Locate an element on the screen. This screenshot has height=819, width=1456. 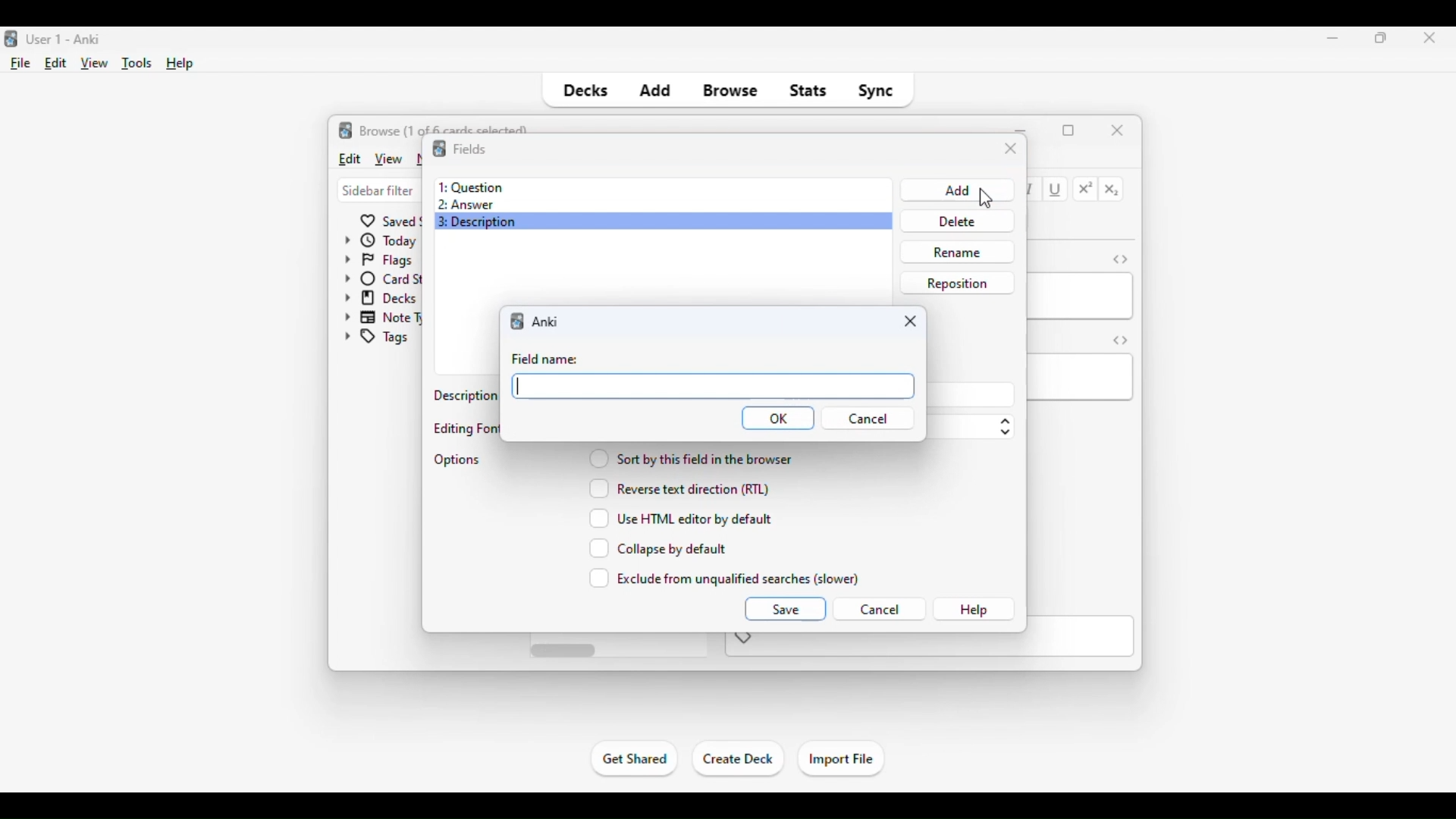
logo is located at coordinates (346, 130).